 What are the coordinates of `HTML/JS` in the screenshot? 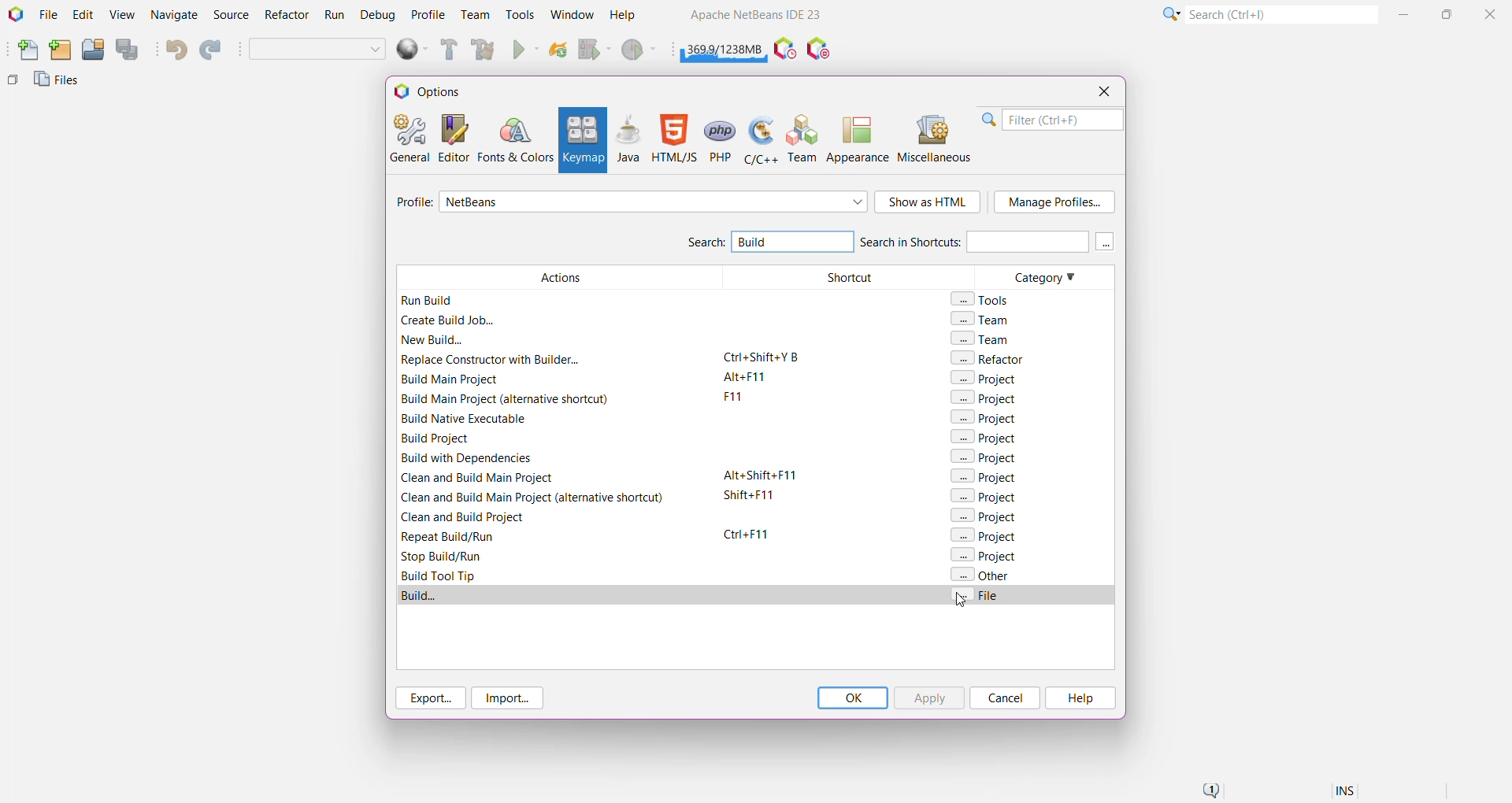 It's located at (673, 139).